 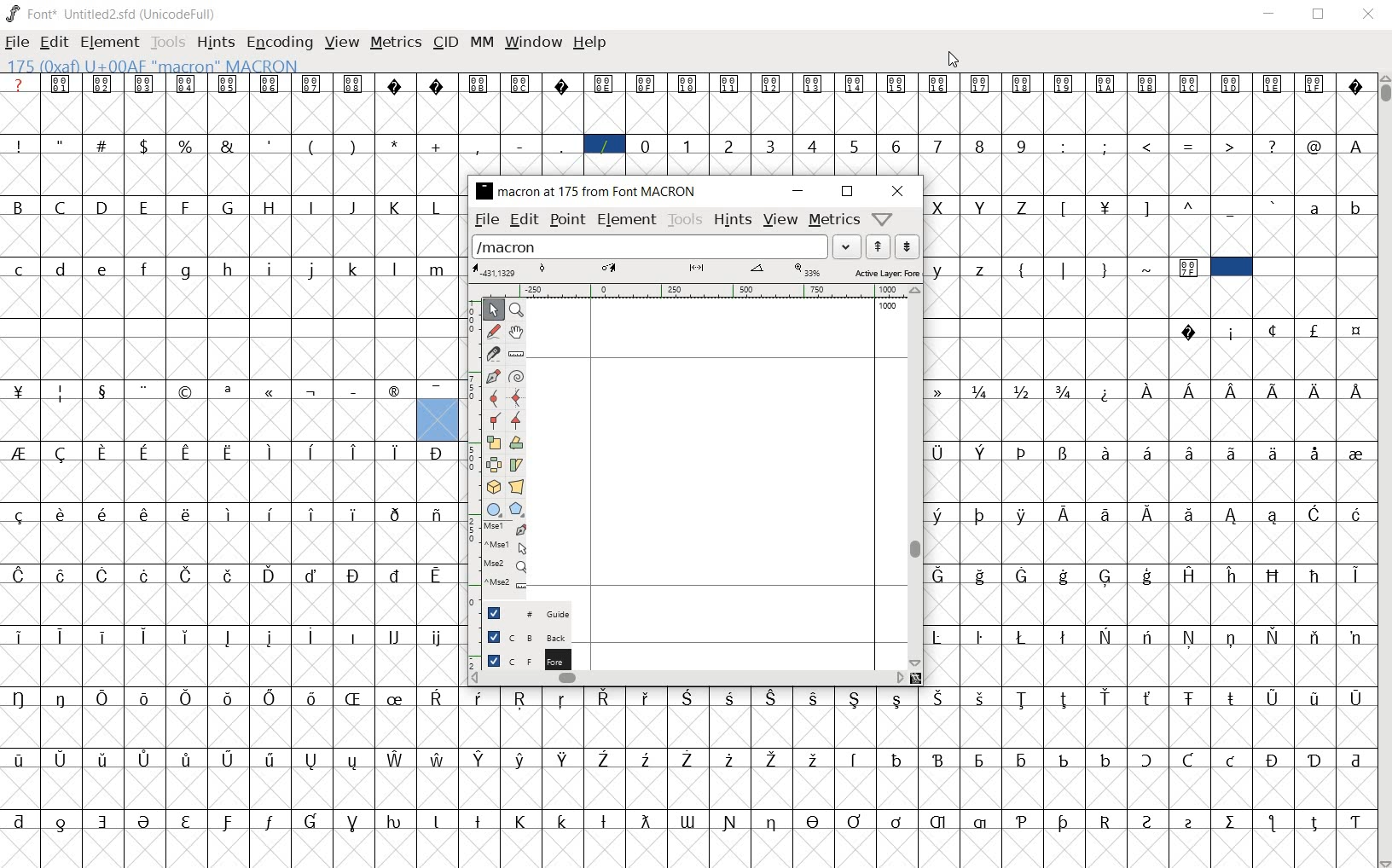 What do you see at coordinates (357, 761) in the screenshot?
I see `Symbol` at bounding box center [357, 761].